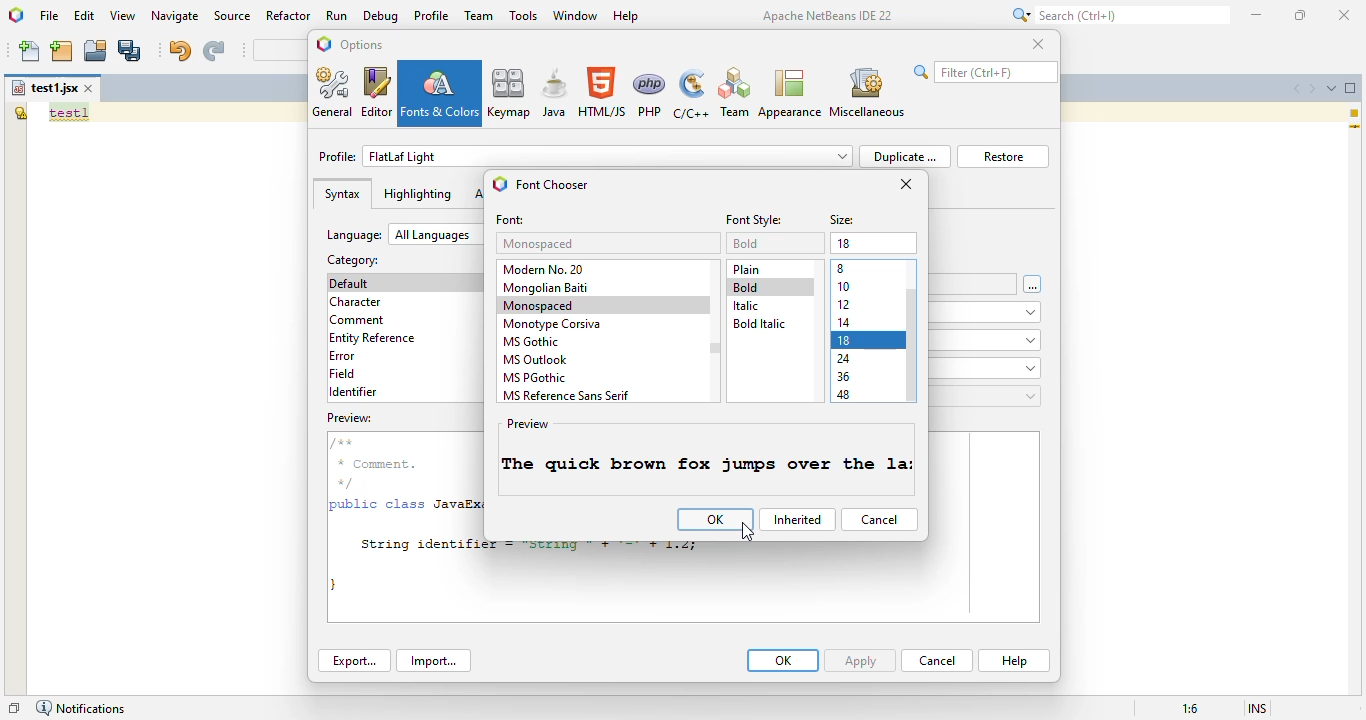  I want to click on 8, so click(843, 268).